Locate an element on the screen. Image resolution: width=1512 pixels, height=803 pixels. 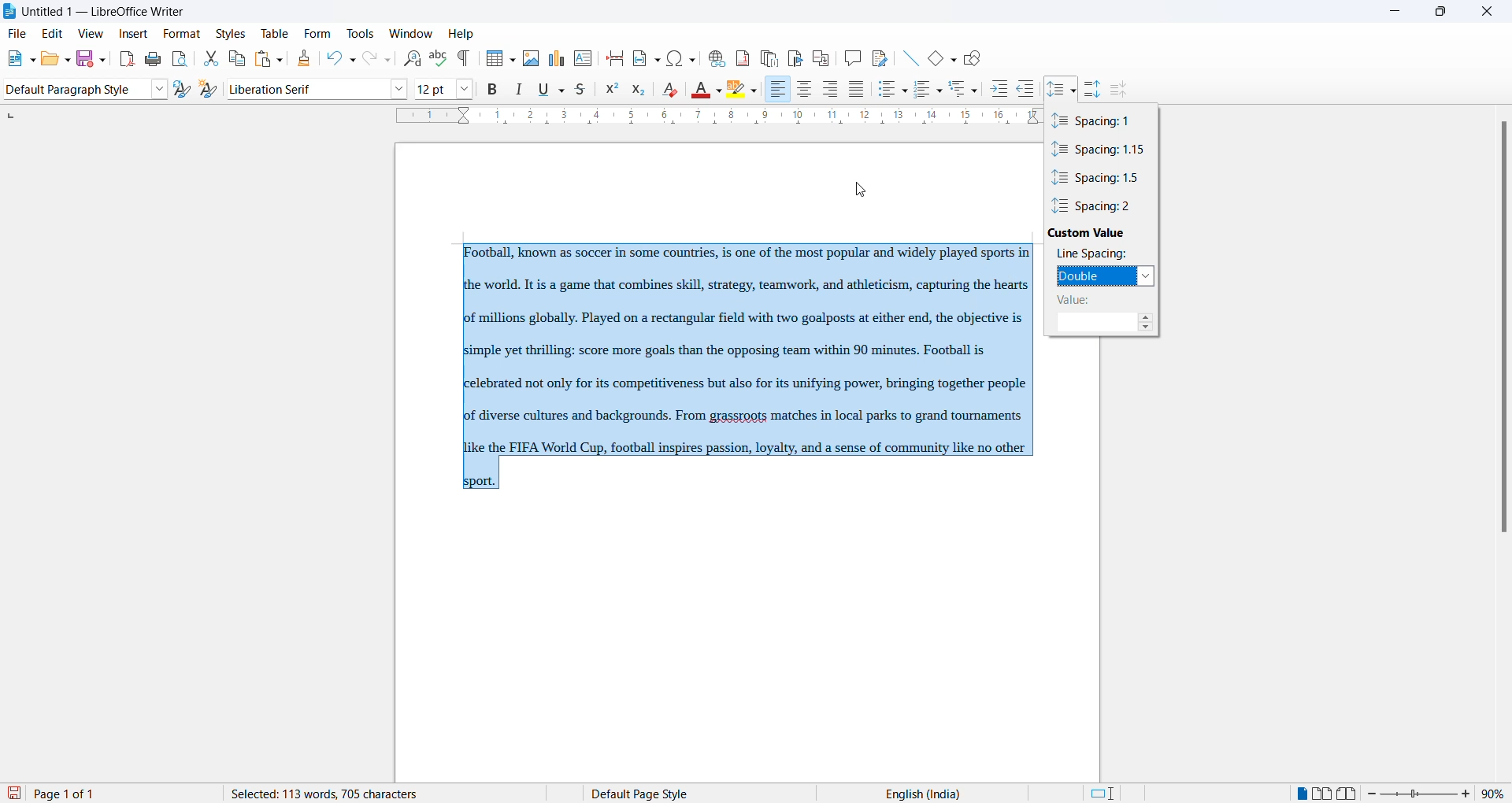
increase spaing is located at coordinates (1145, 317).